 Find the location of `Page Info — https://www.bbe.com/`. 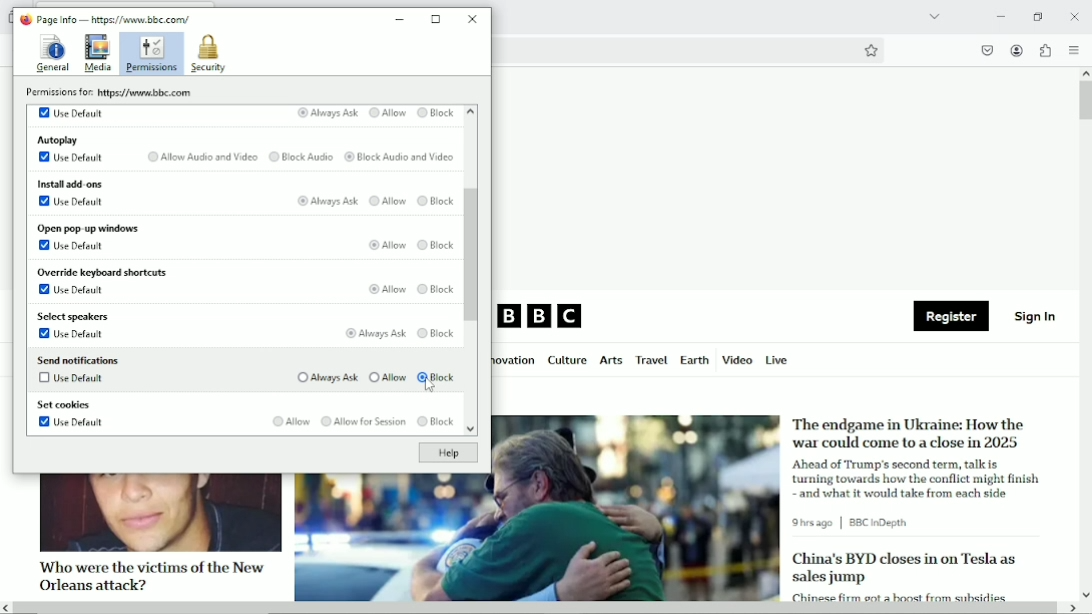

Page Info — https://www.bbe.com/ is located at coordinates (114, 19).